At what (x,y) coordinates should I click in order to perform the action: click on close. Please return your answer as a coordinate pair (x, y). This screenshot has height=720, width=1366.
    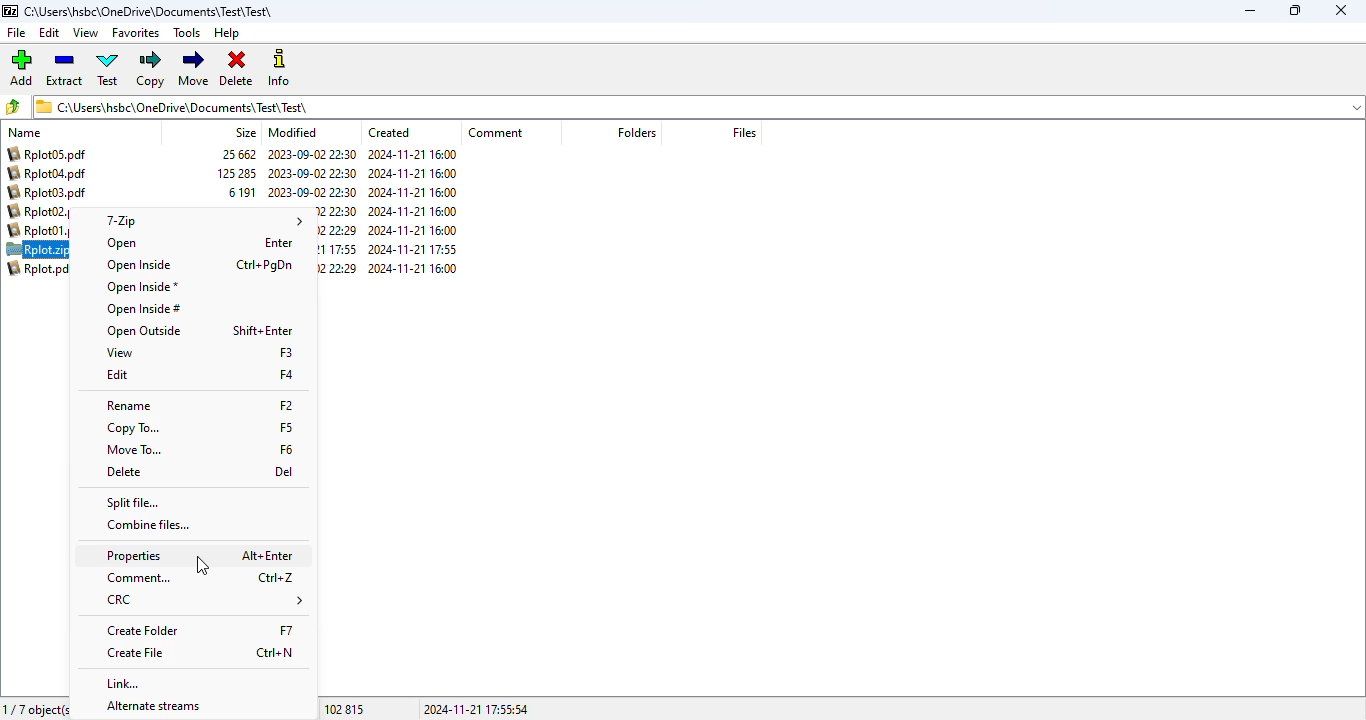
    Looking at the image, I should click on (1341, 11).